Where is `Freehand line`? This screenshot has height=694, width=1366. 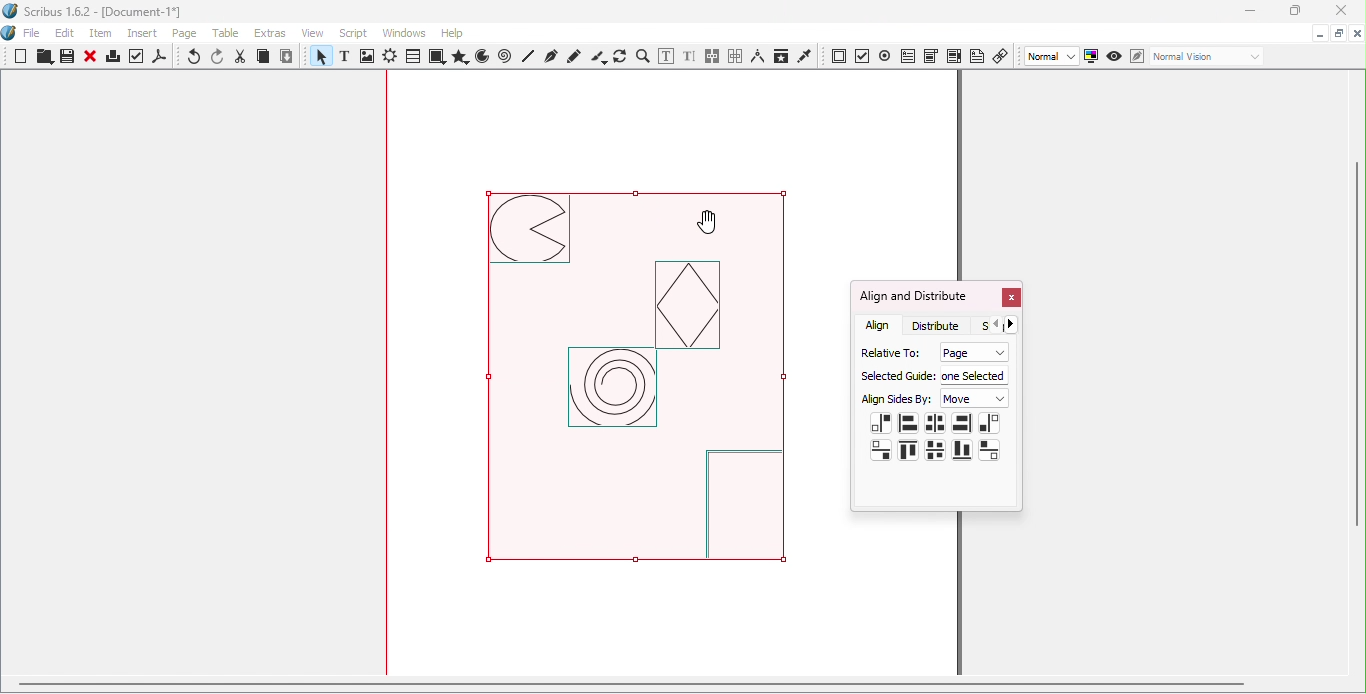 Freehand line is located at coordinates (575, 56).